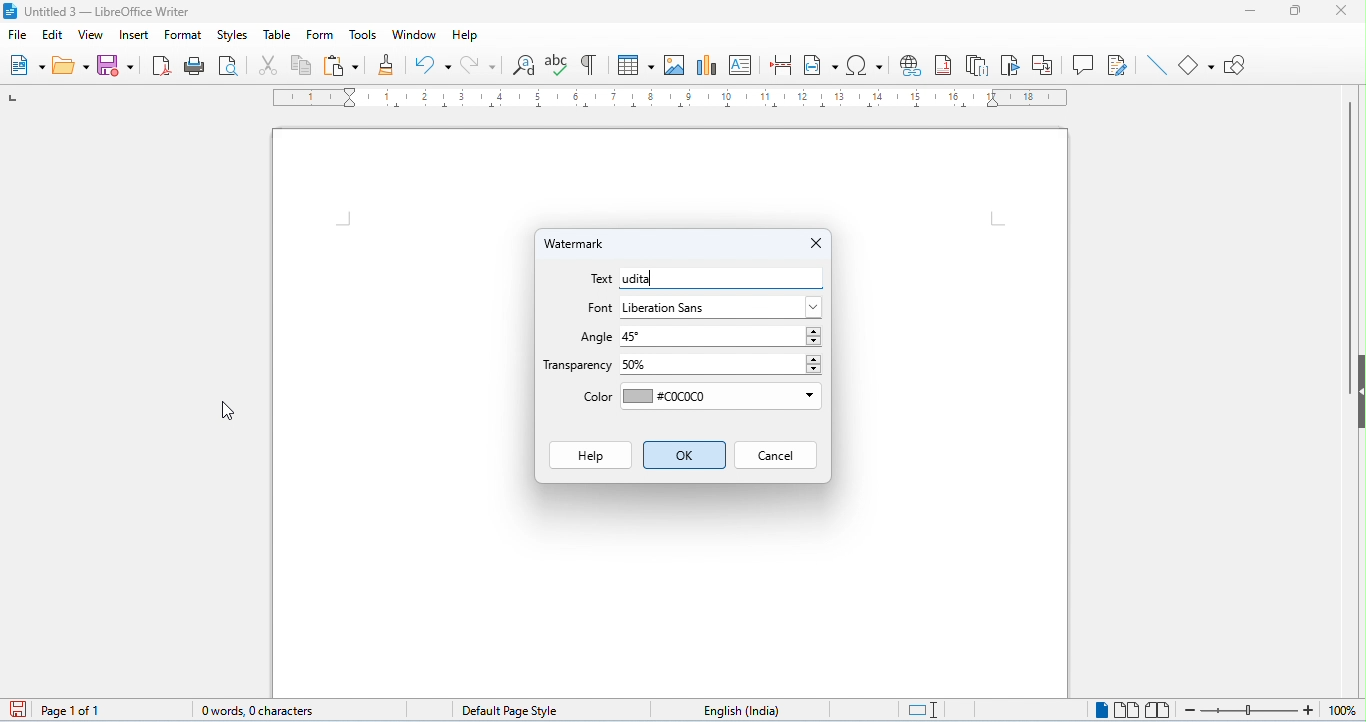  What do you see at coordinates (1251, 12) in the screenshot?
I see `minimize` at bounding box center [1251, 12].